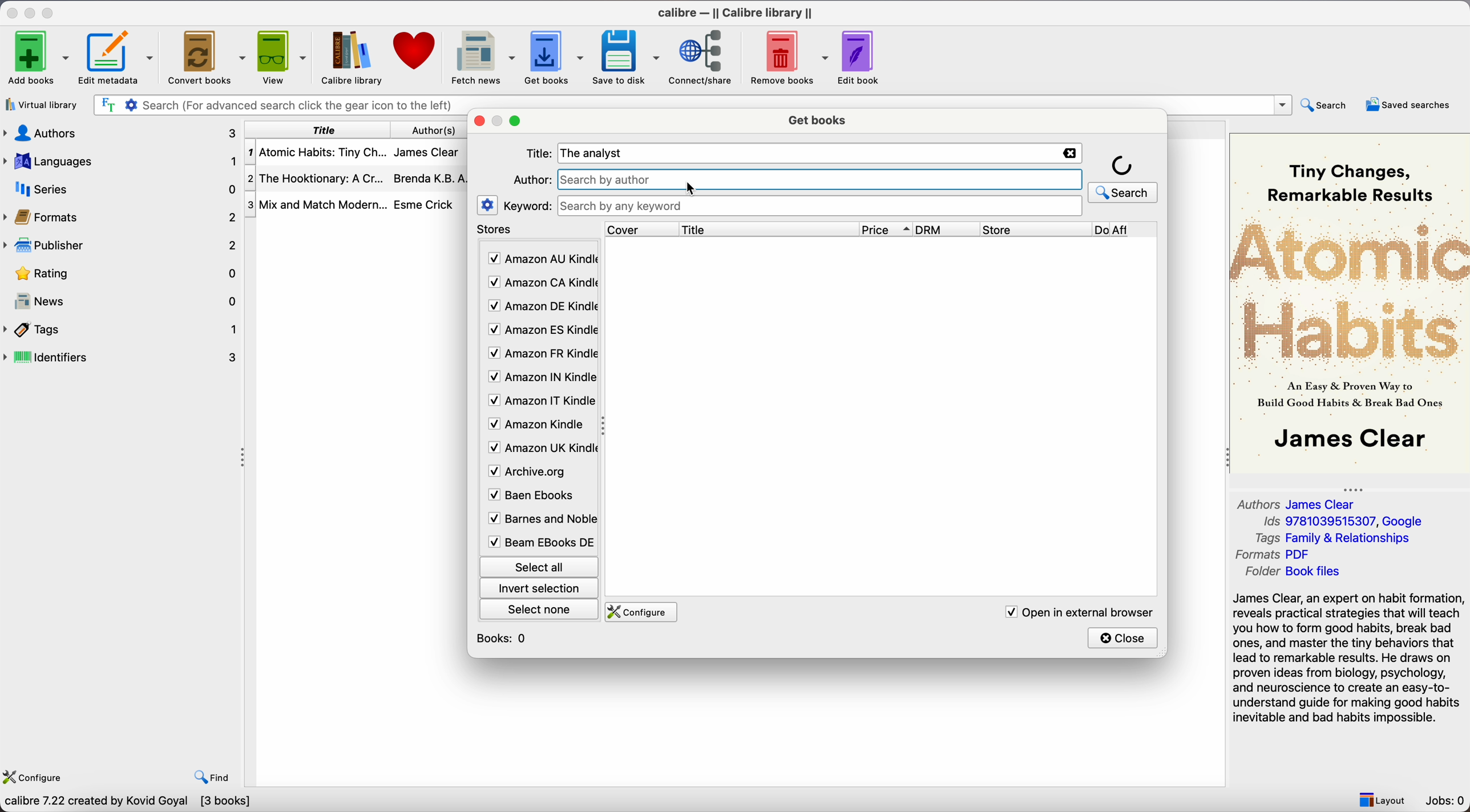 Image resolution: width=1470 pixels, height=812 pixels. Describe the element at coordinates (817, 121) in the screenshot. I see `get books` at that location.